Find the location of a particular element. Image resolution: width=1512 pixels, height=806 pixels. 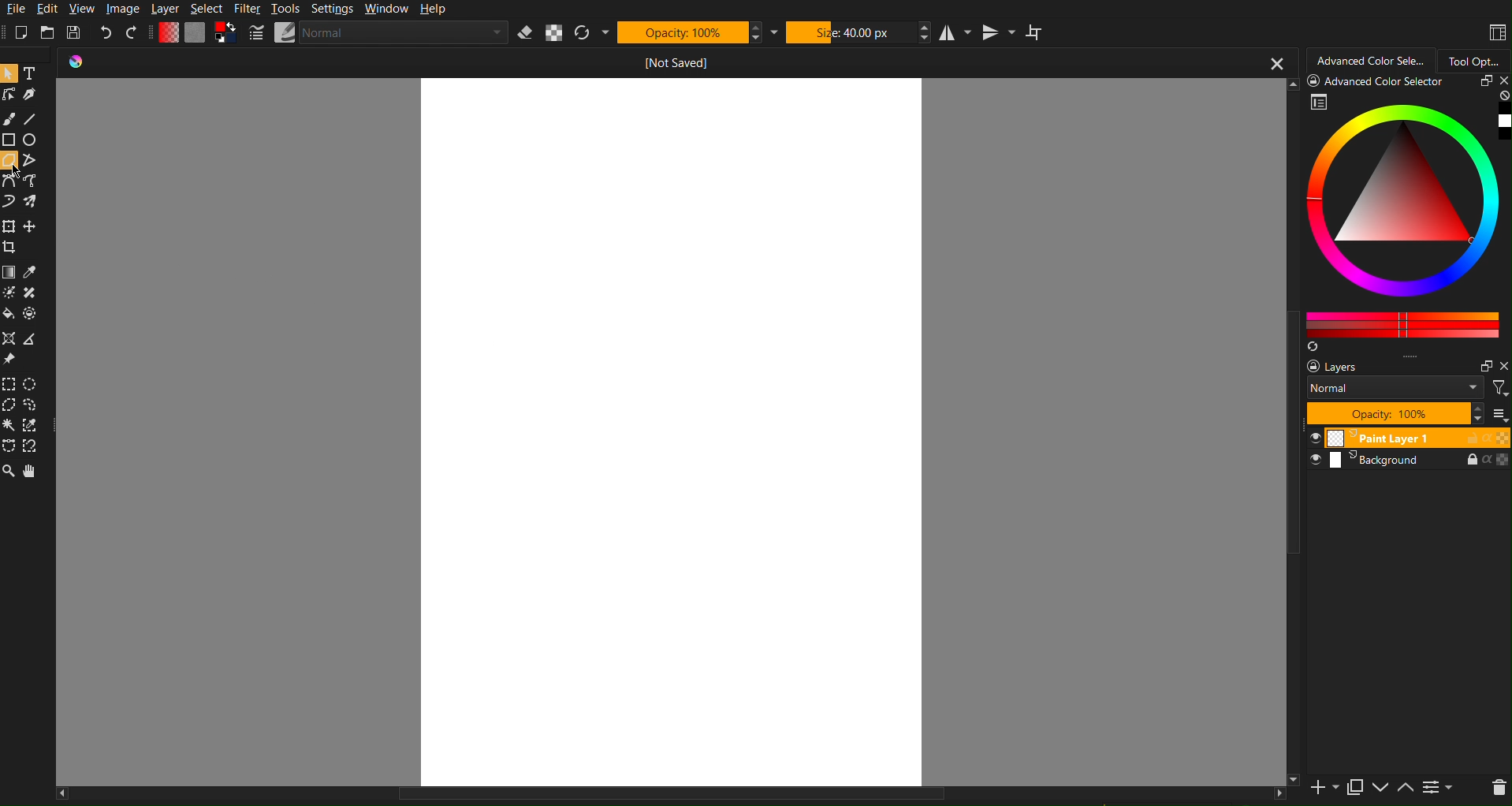

Line  is located at coordinates (36, 118).